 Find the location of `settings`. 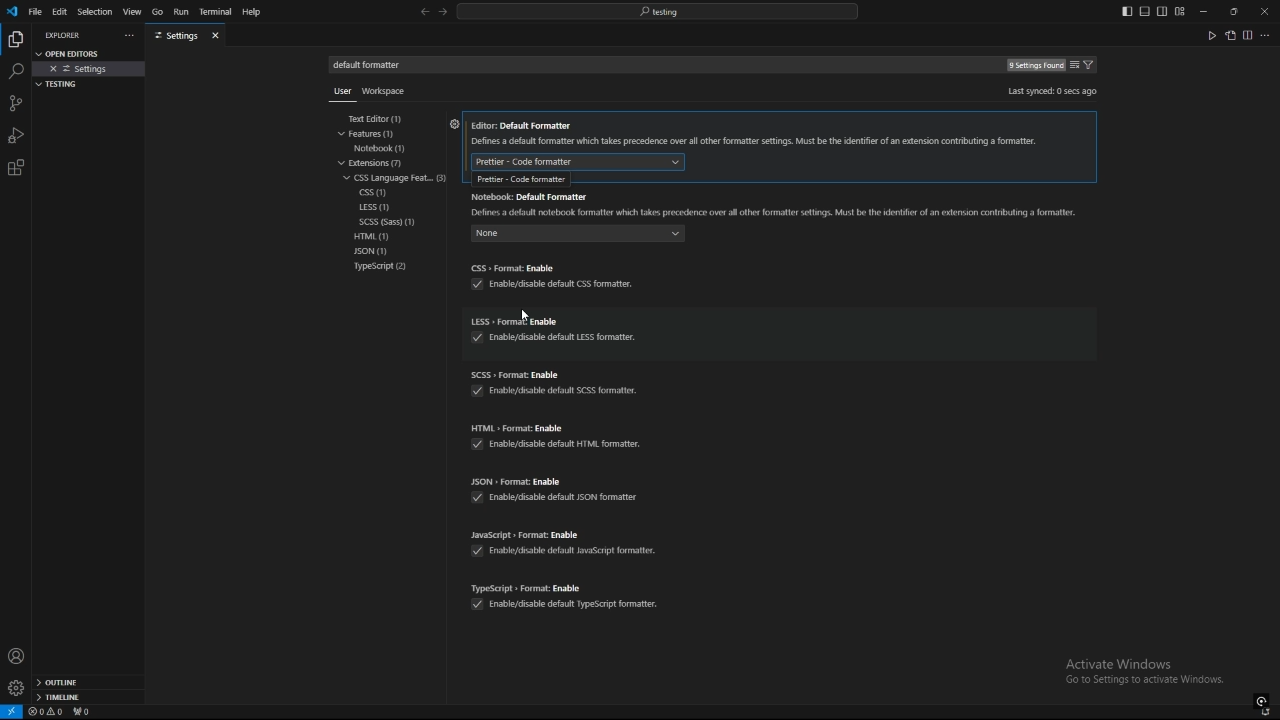

settings is located at coordinates (15, 688).